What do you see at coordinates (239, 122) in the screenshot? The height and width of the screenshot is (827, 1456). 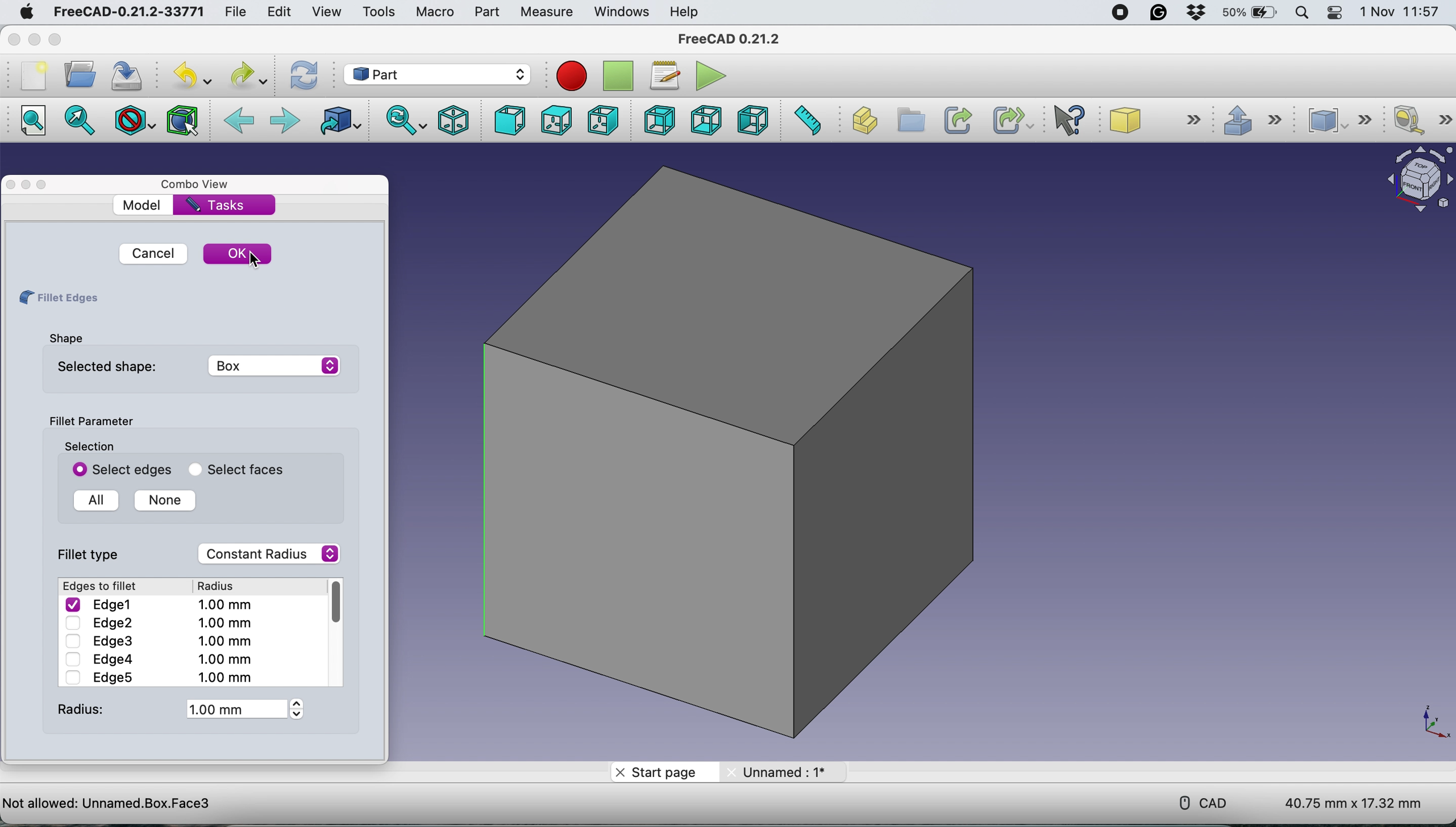 I see `backward` at bounding box center [239, 122].